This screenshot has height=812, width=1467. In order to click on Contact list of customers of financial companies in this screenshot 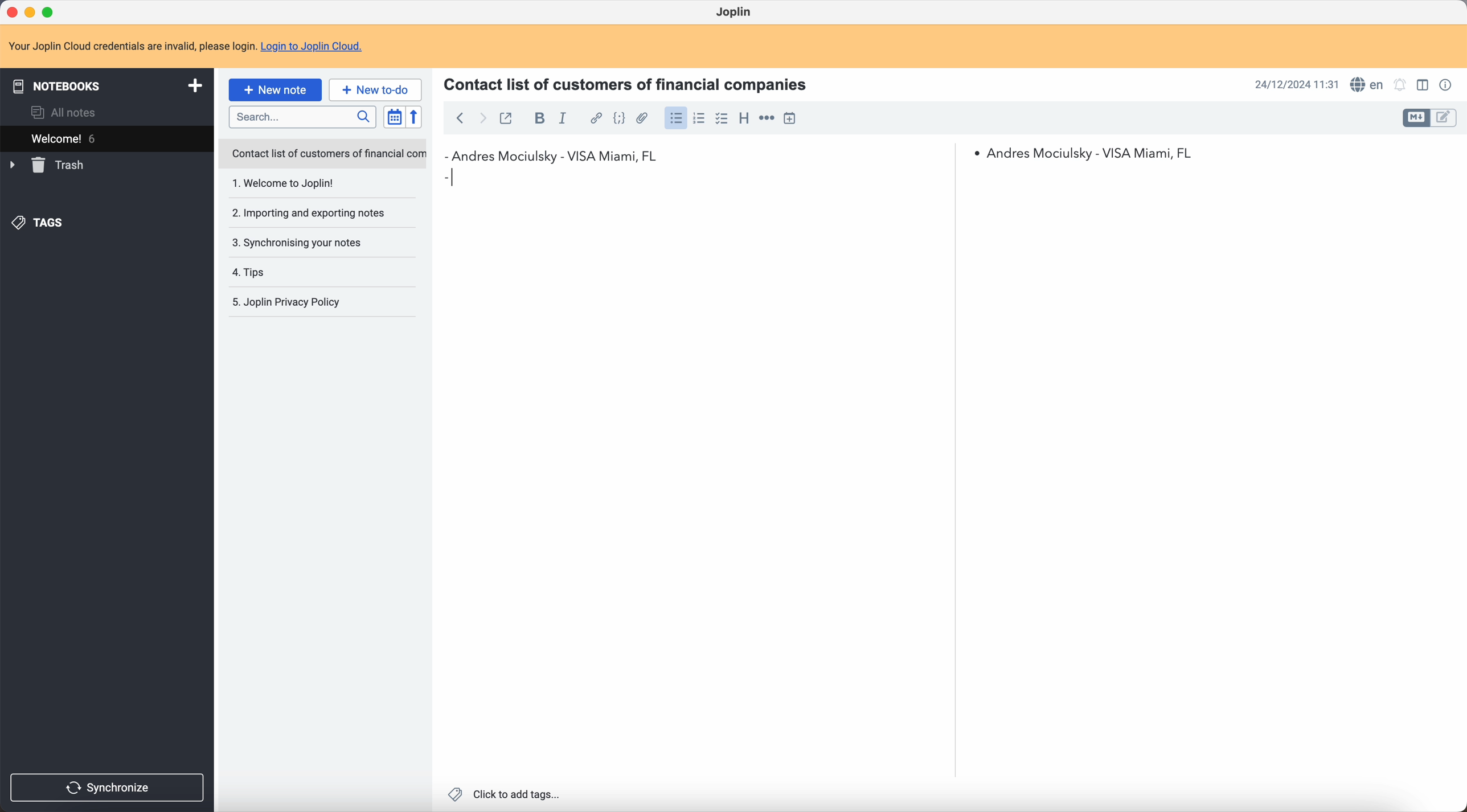, I will do `click(633, 83)`.